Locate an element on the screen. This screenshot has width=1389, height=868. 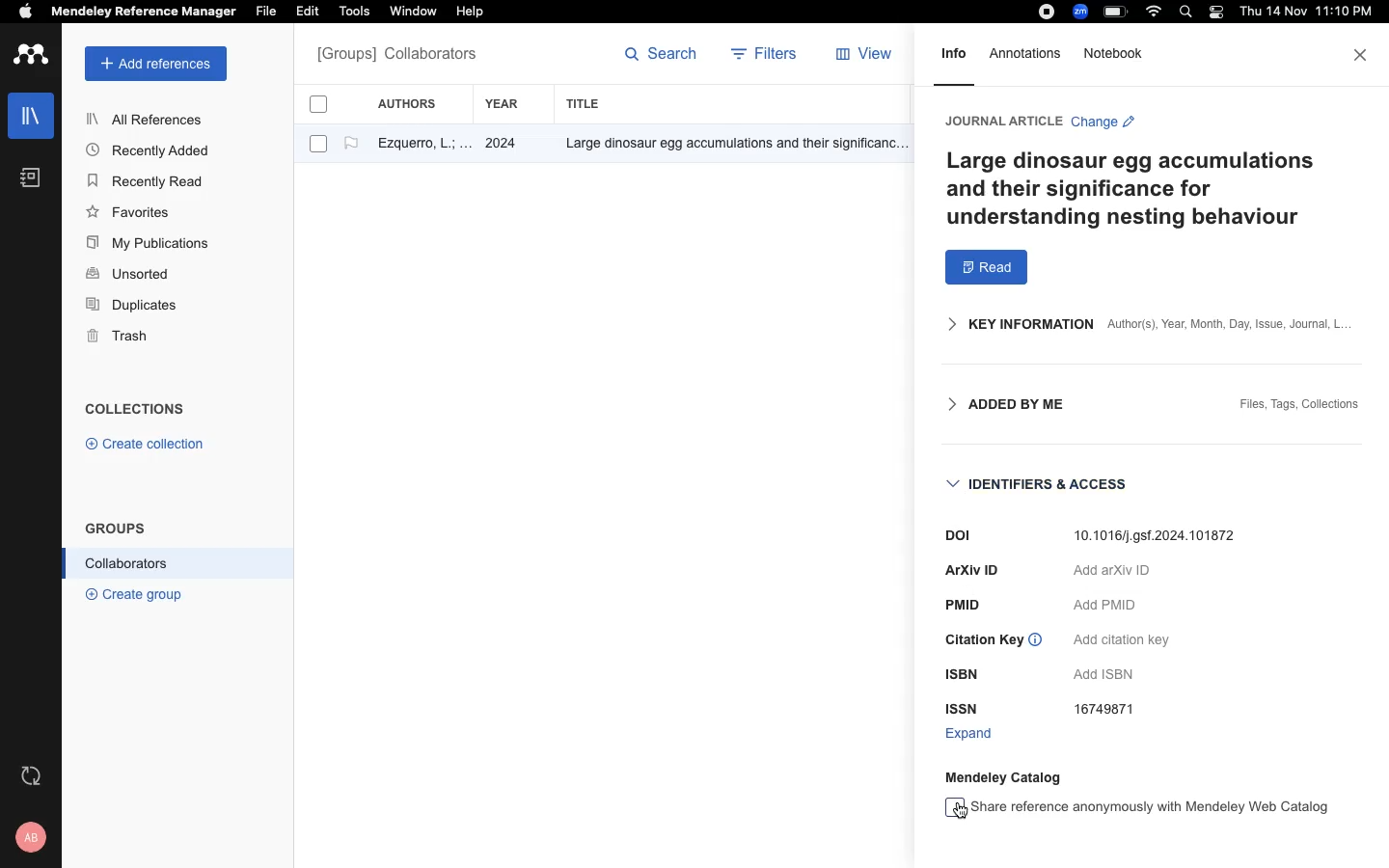
year is located at coordinates (512, 104).